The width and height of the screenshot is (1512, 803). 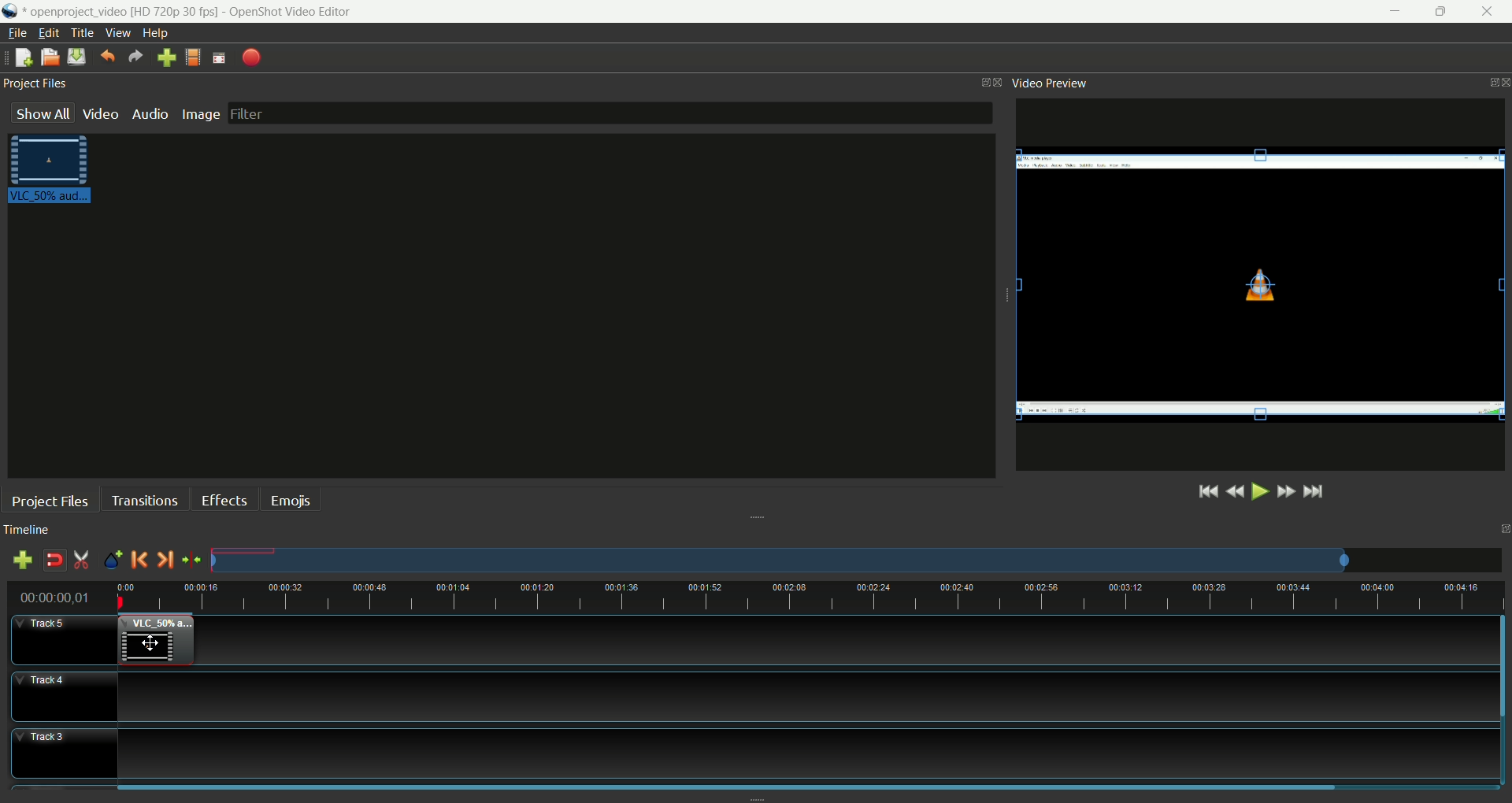 I want to click on track4, so click(x=65, y=698).